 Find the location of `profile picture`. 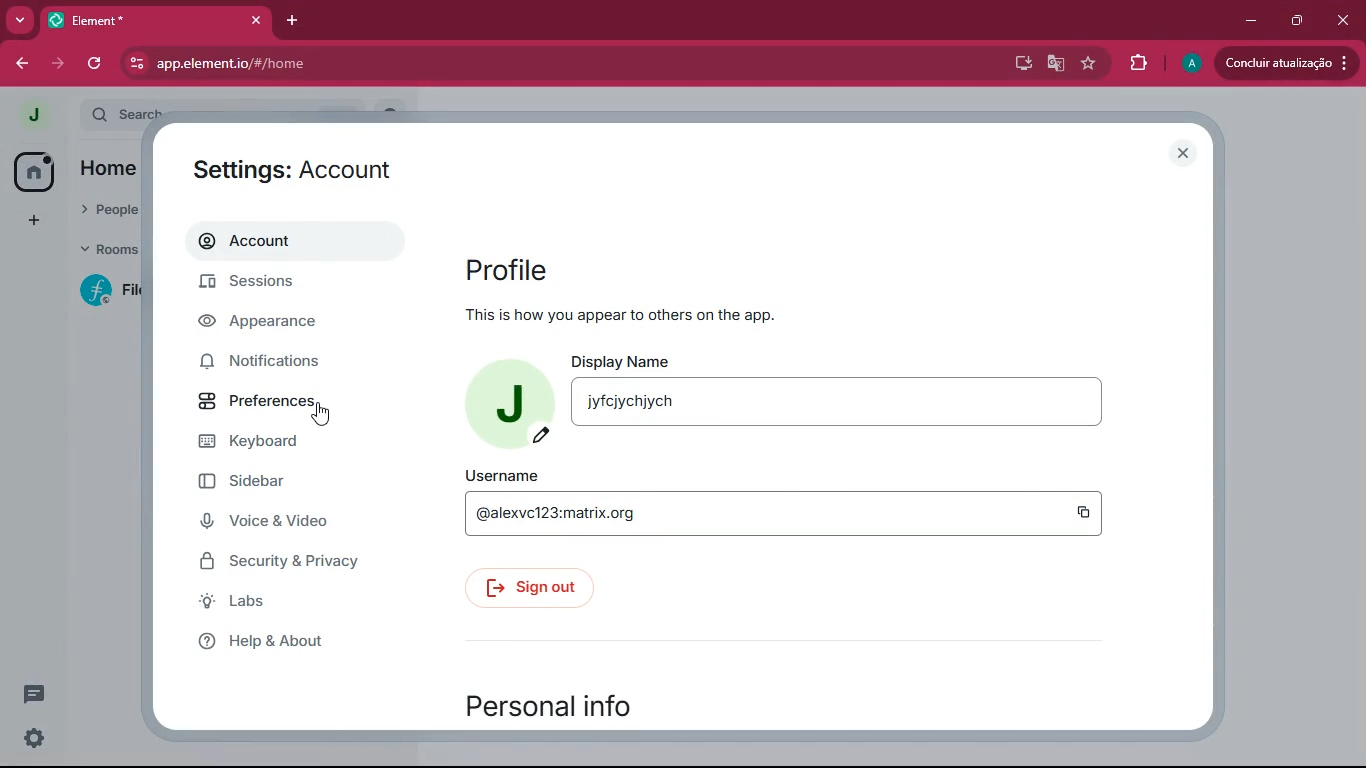

profile picture is located at coordinates (509, 404).